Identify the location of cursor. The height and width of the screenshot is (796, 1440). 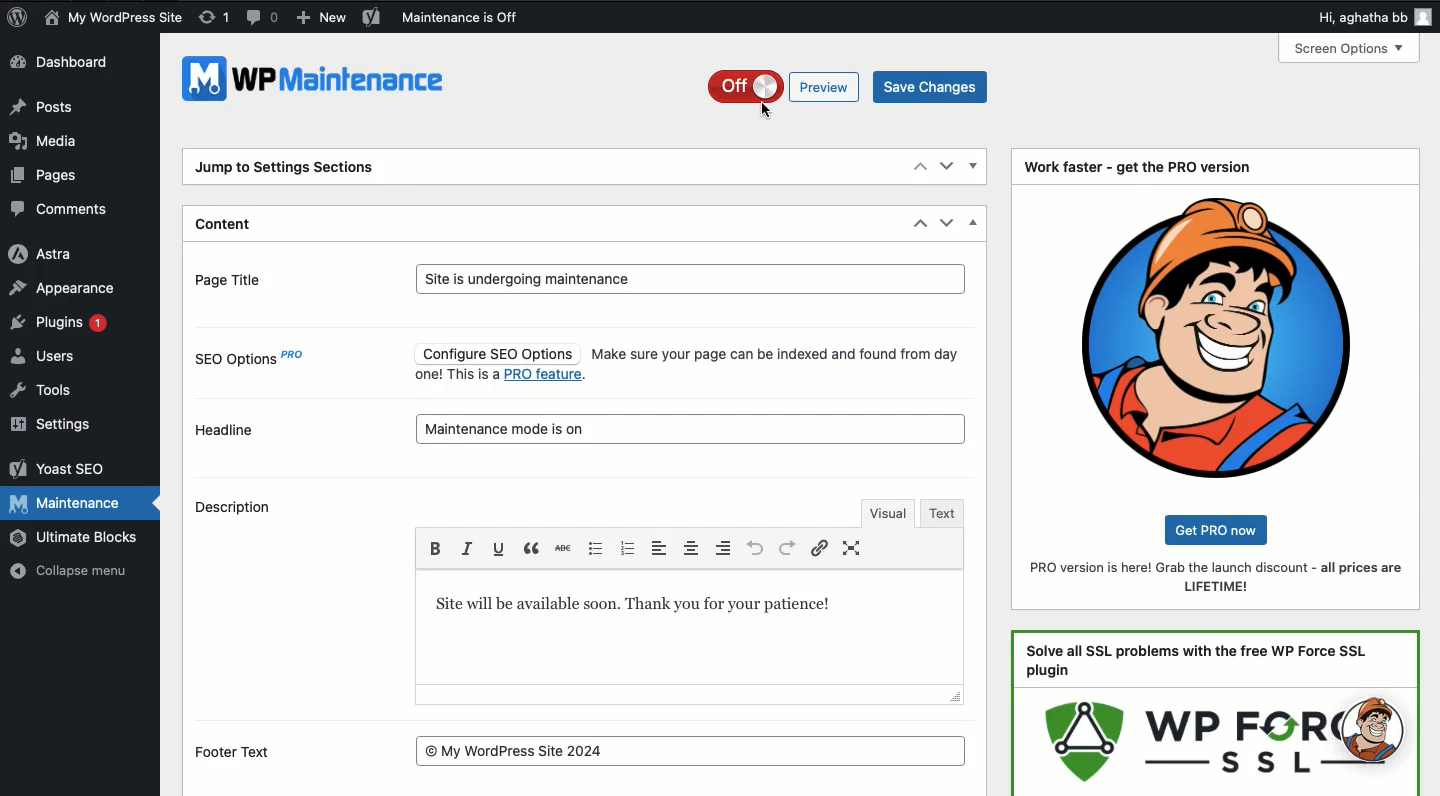
(765, 111).